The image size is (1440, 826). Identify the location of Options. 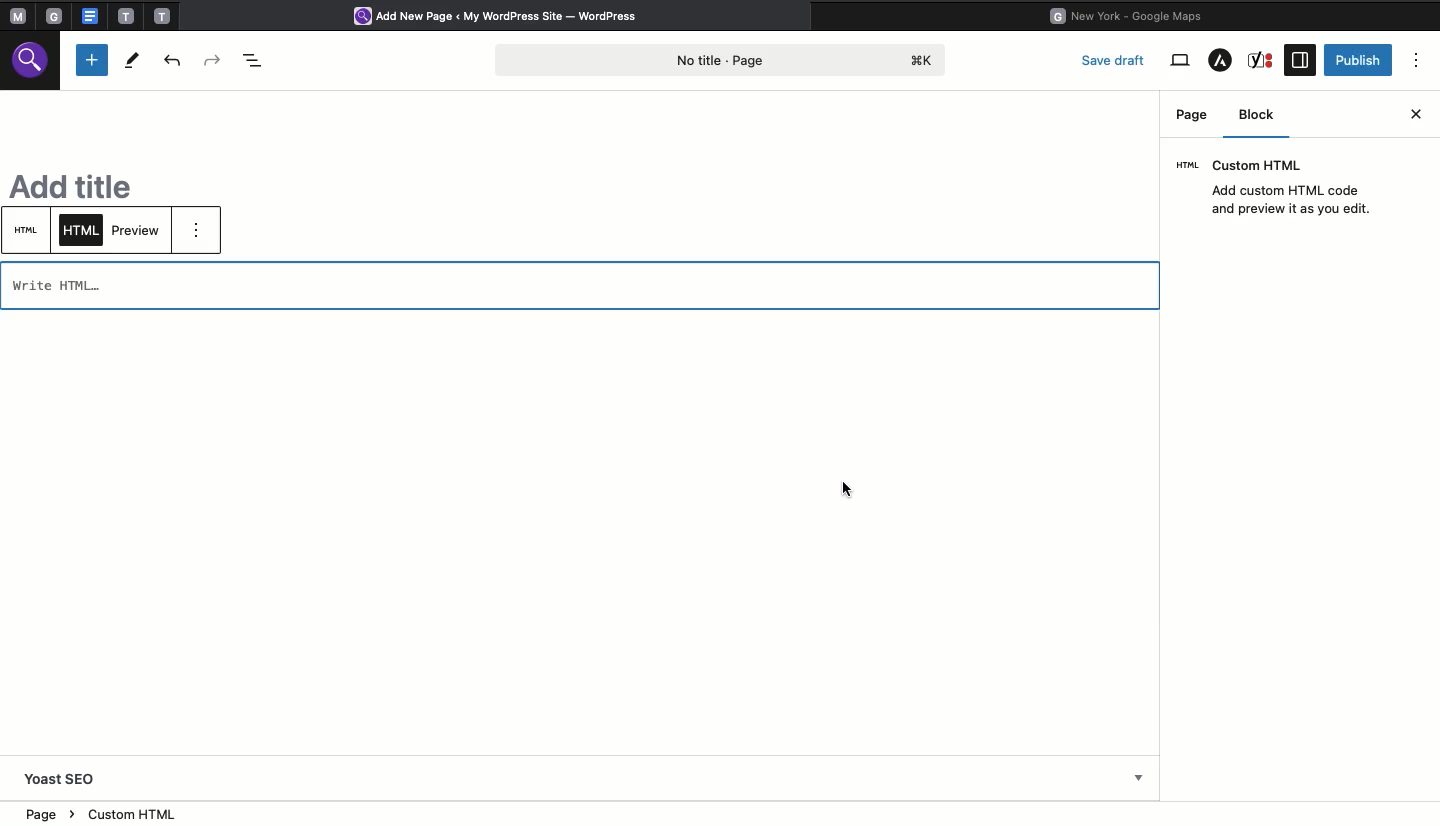
(1418, 60).